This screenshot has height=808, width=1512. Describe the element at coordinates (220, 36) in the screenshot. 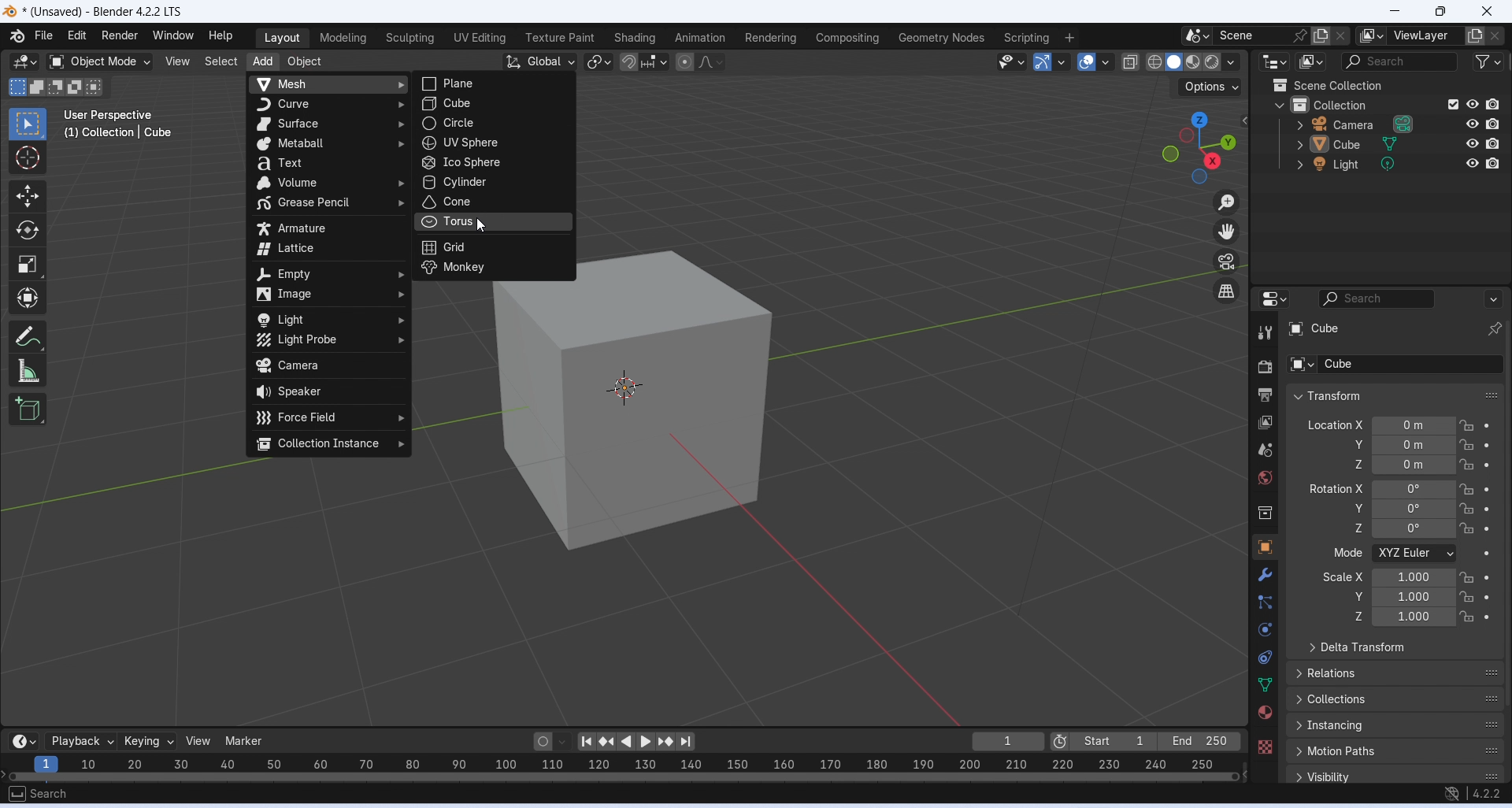

I see `Help` at that location.